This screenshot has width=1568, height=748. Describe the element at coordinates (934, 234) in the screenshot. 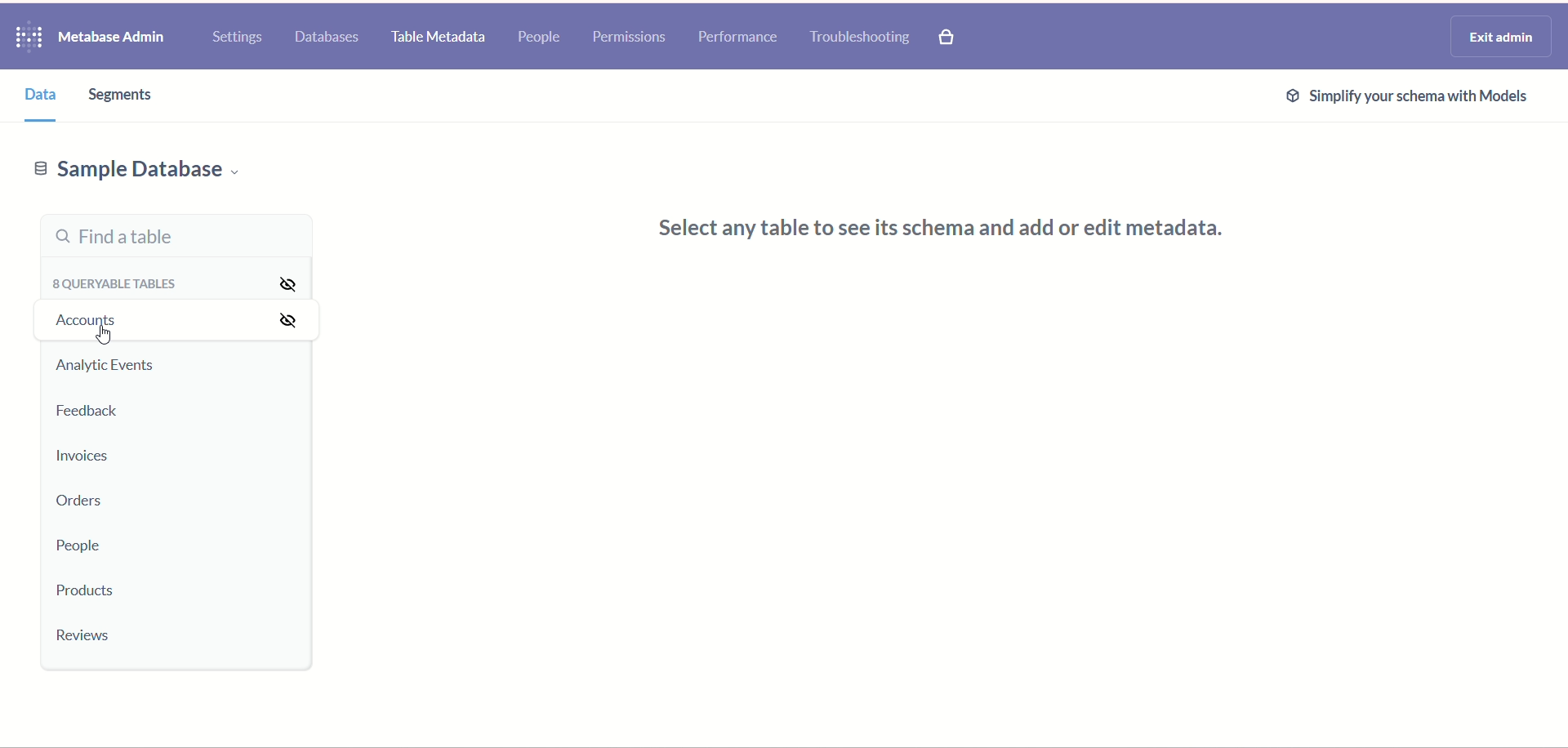

I see `text` at that location.